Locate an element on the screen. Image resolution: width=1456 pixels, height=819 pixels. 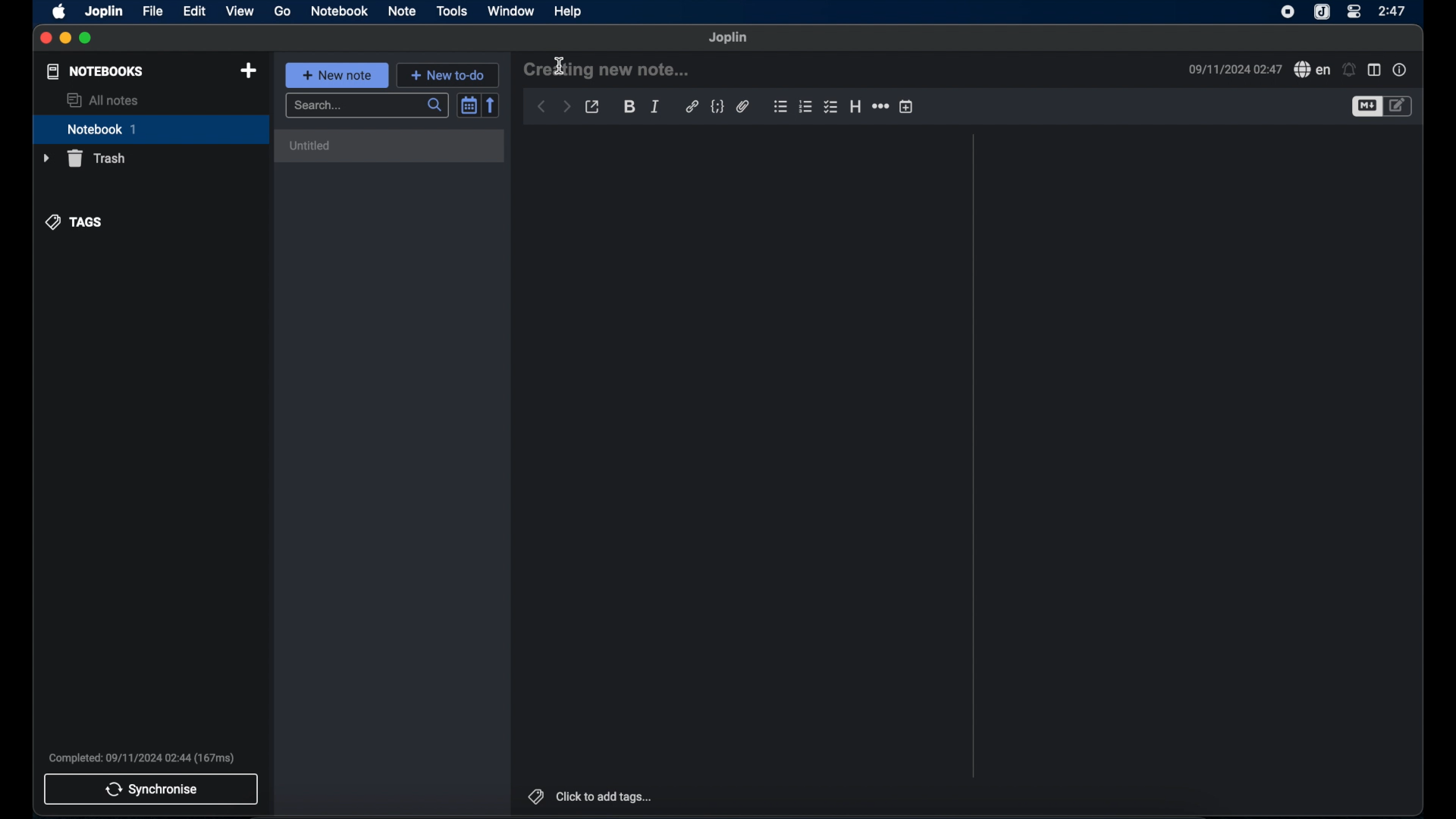
close is located at coordinates (45, 39).